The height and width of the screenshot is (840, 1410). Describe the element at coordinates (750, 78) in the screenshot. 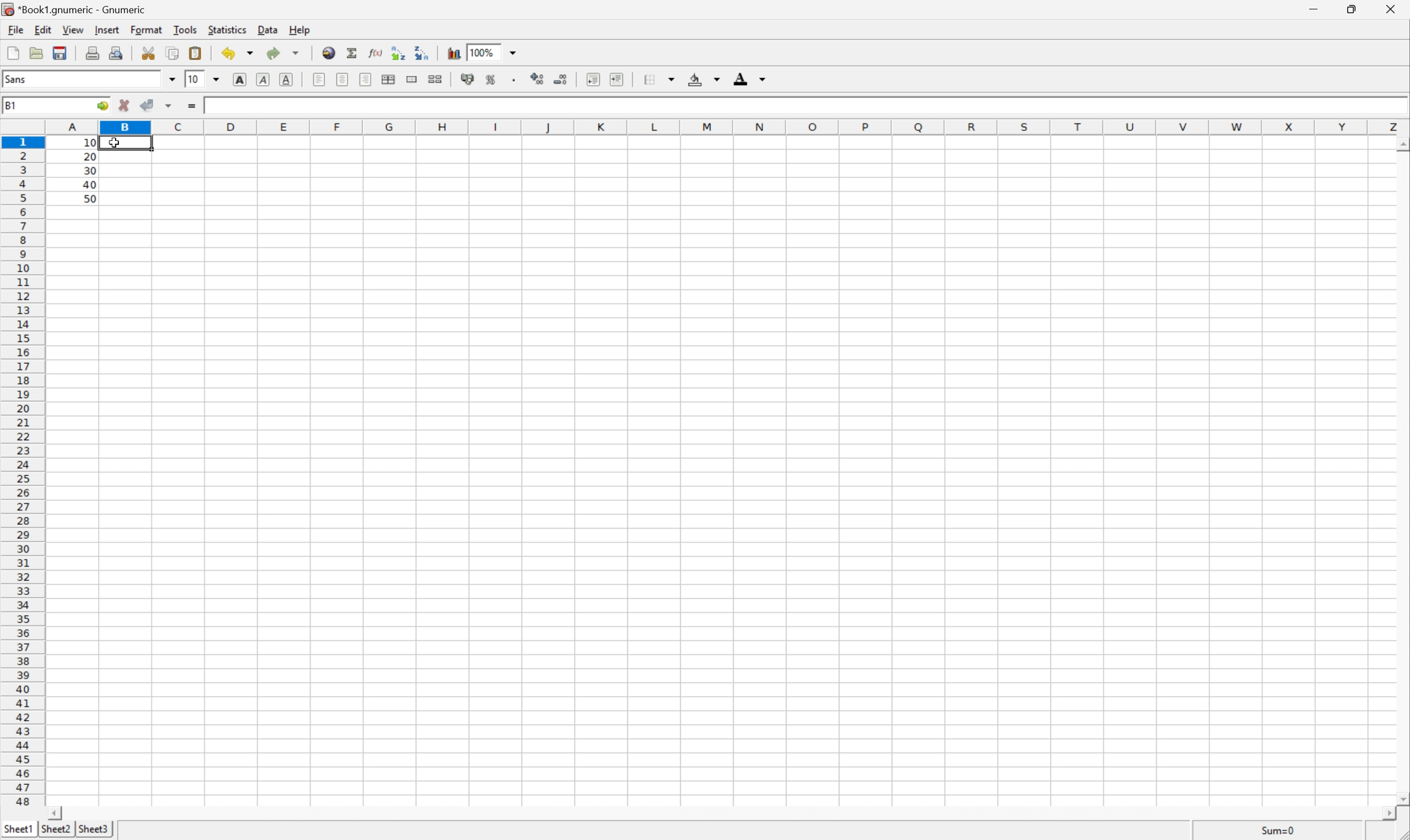

I see `Foreground` at that location.